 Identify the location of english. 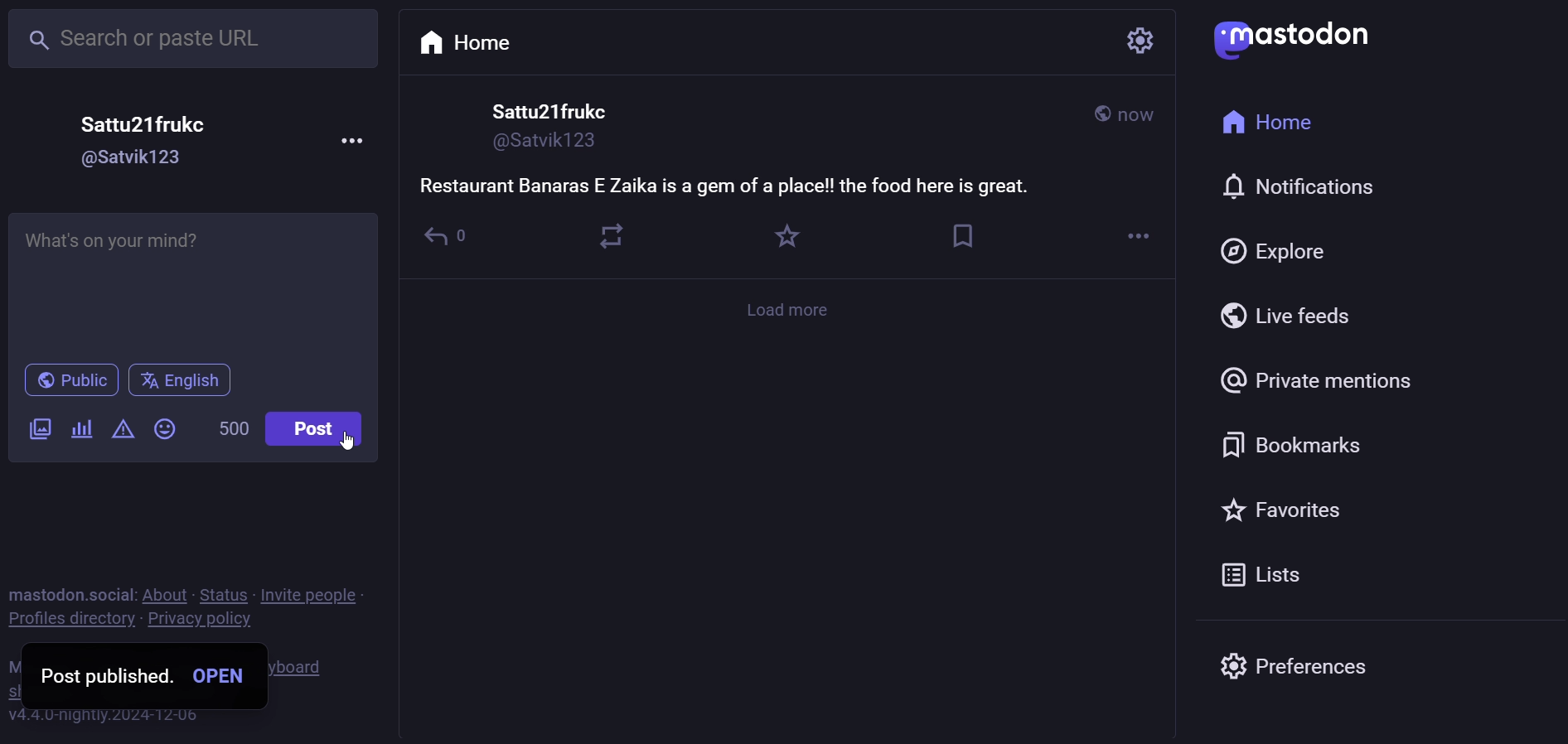
(182, 382).